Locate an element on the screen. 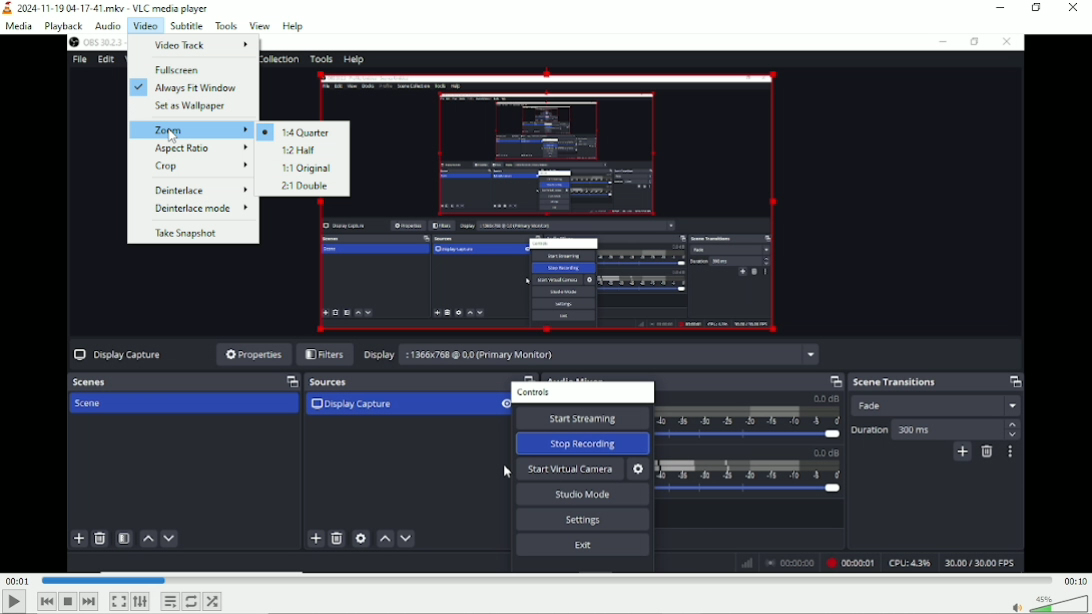 The height and width of the screenshot is (614, 1092). audio is located at coordinates (108, 26).